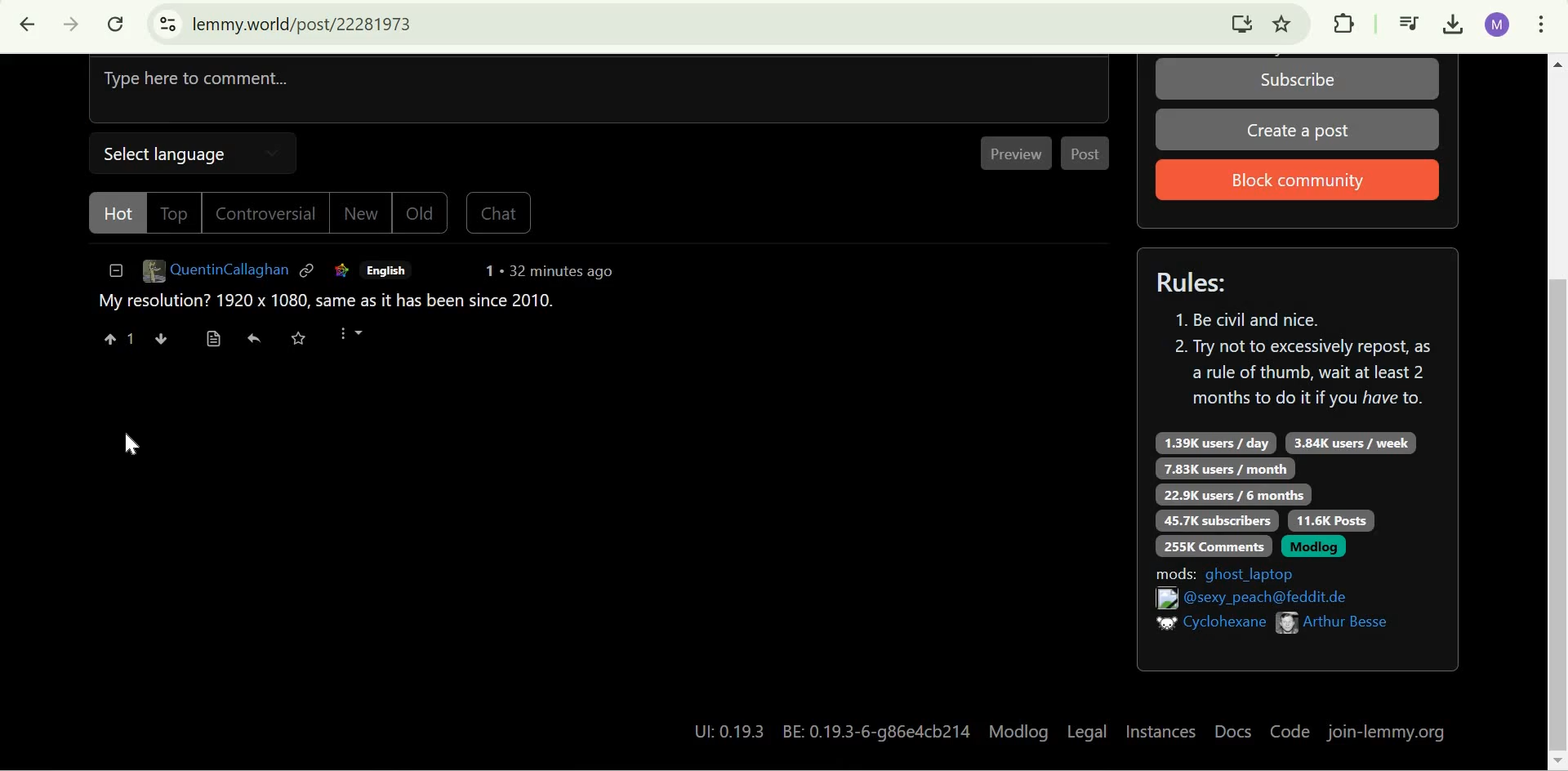  I want to click on Block Community, so click(1299, 178).